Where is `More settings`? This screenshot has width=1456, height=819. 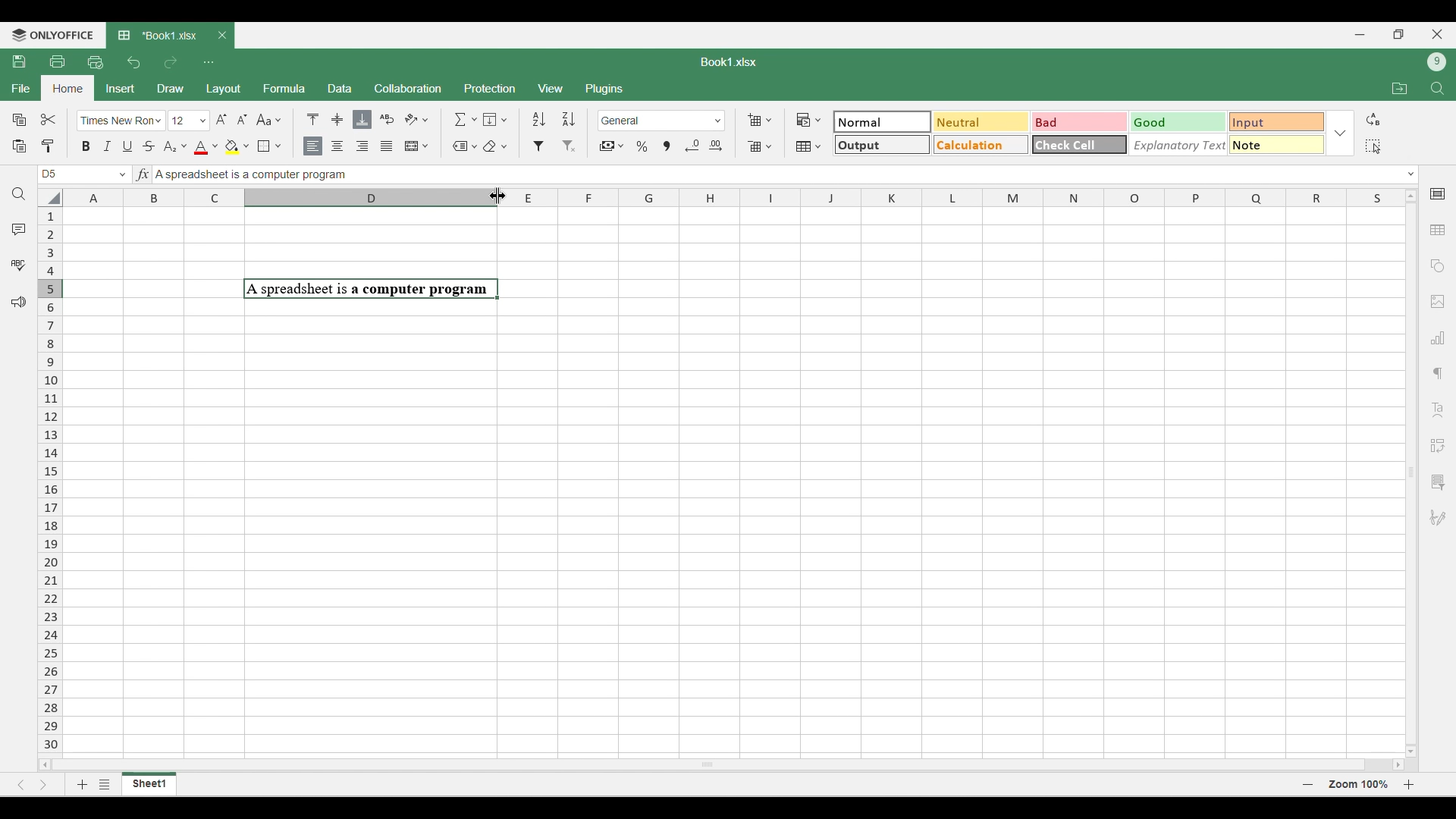
More settings is located at coordinates (1437, 482).